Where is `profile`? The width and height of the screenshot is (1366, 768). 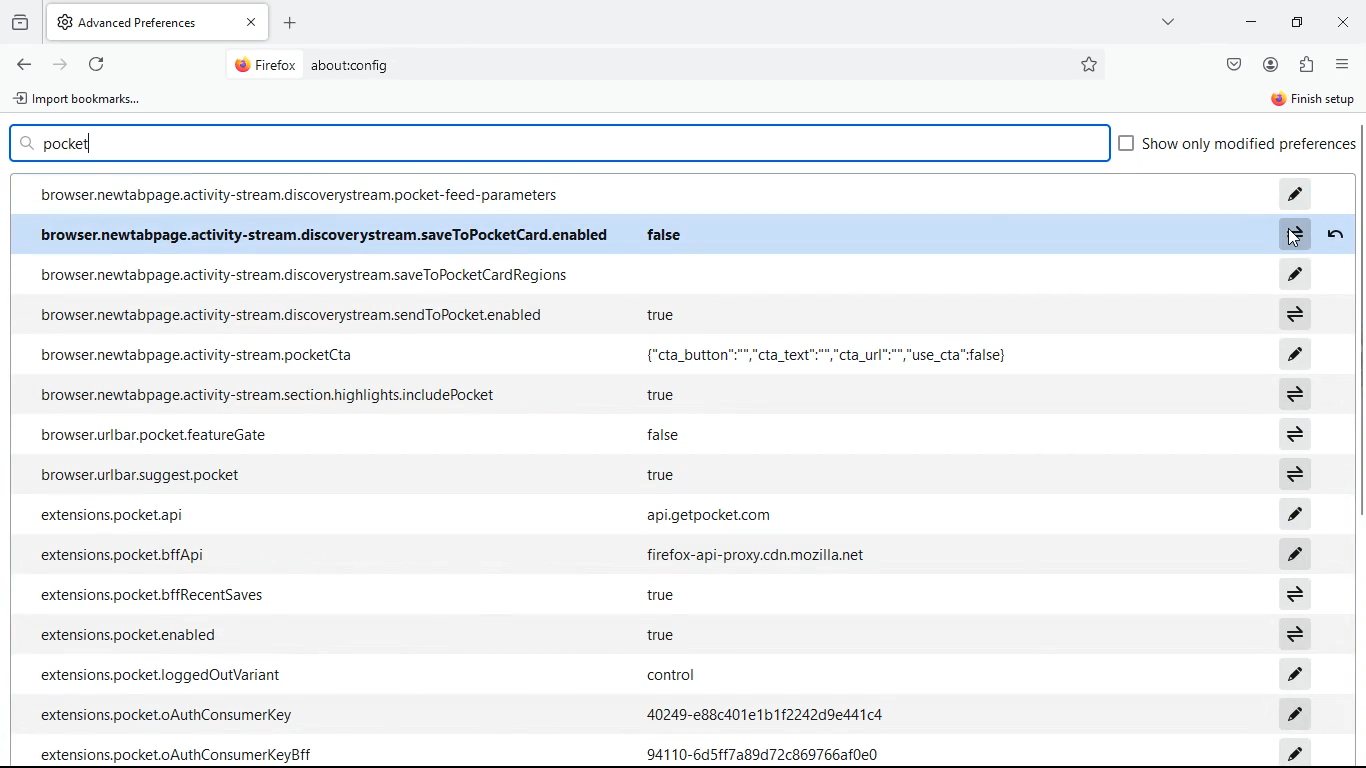 profile is located at coordinates (1272, 65).